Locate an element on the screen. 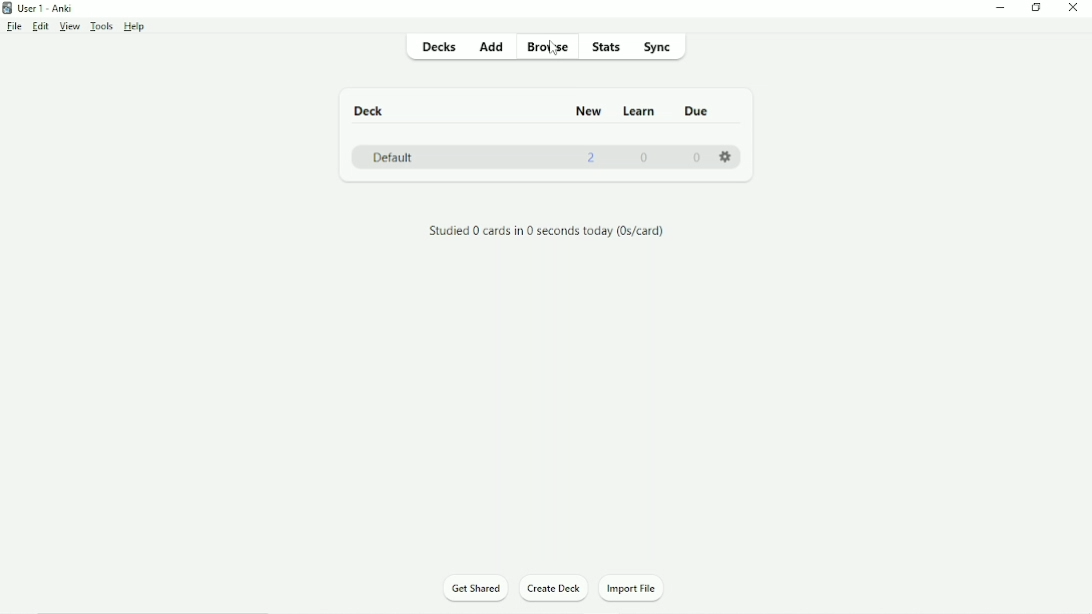 The height and width of the screenshot is (614, 1092). Learn is located at coordinates (641, 112).